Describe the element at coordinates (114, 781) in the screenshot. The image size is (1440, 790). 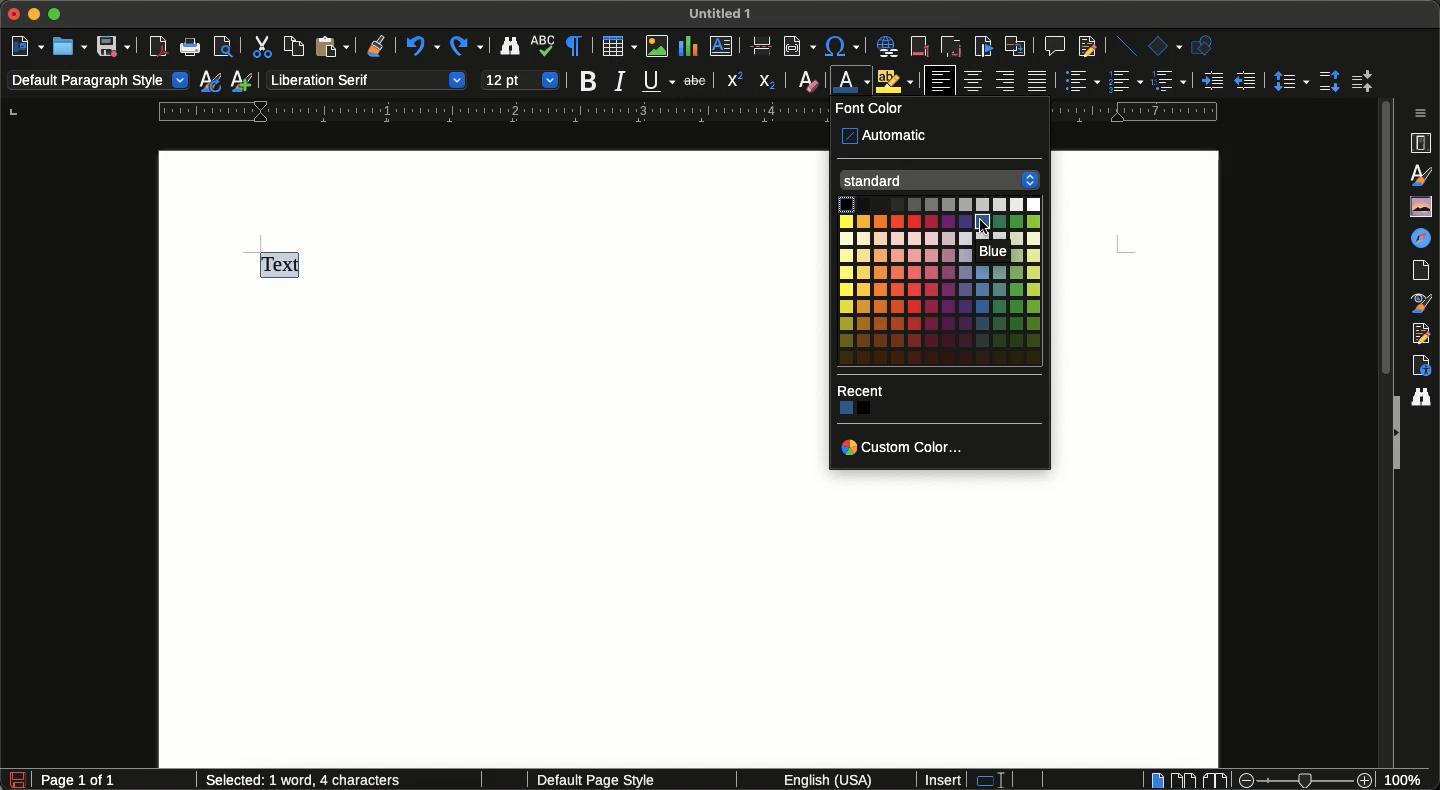
I see `Page count` at that location.